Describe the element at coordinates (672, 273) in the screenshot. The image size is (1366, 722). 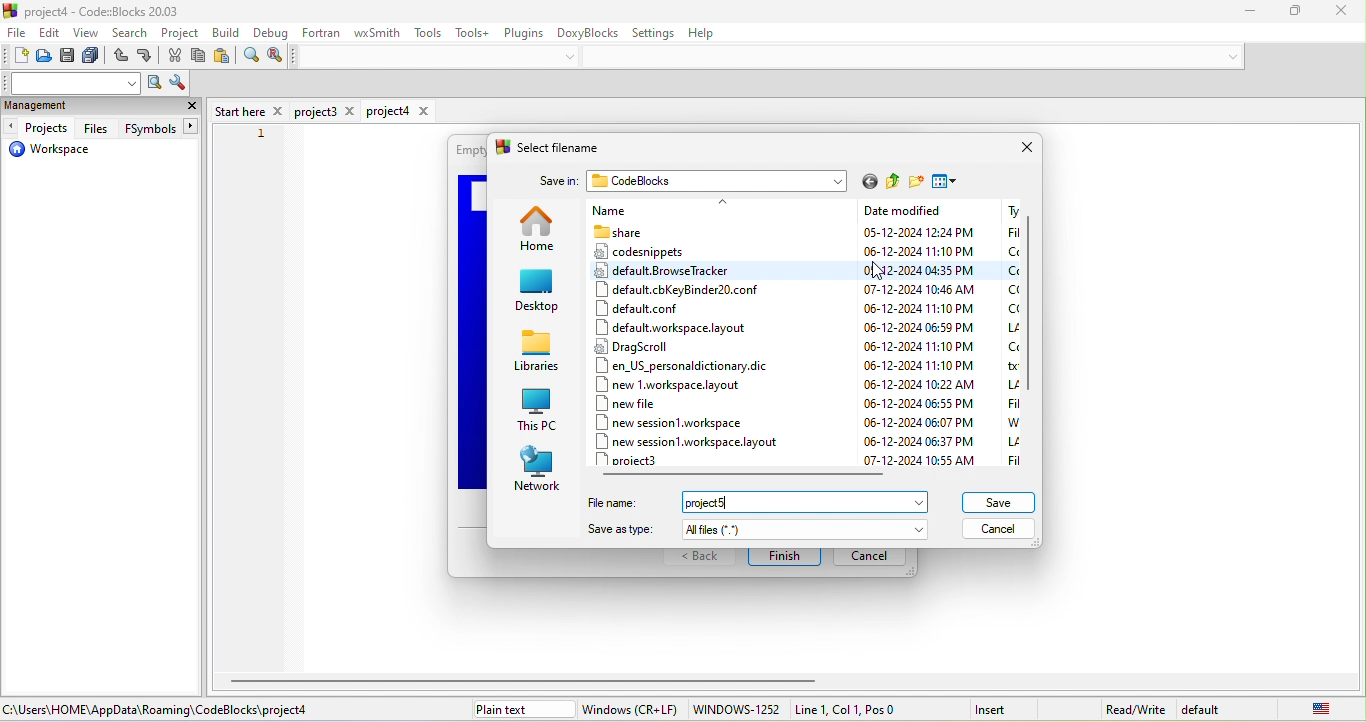
I see `default browser tracker` at that location.